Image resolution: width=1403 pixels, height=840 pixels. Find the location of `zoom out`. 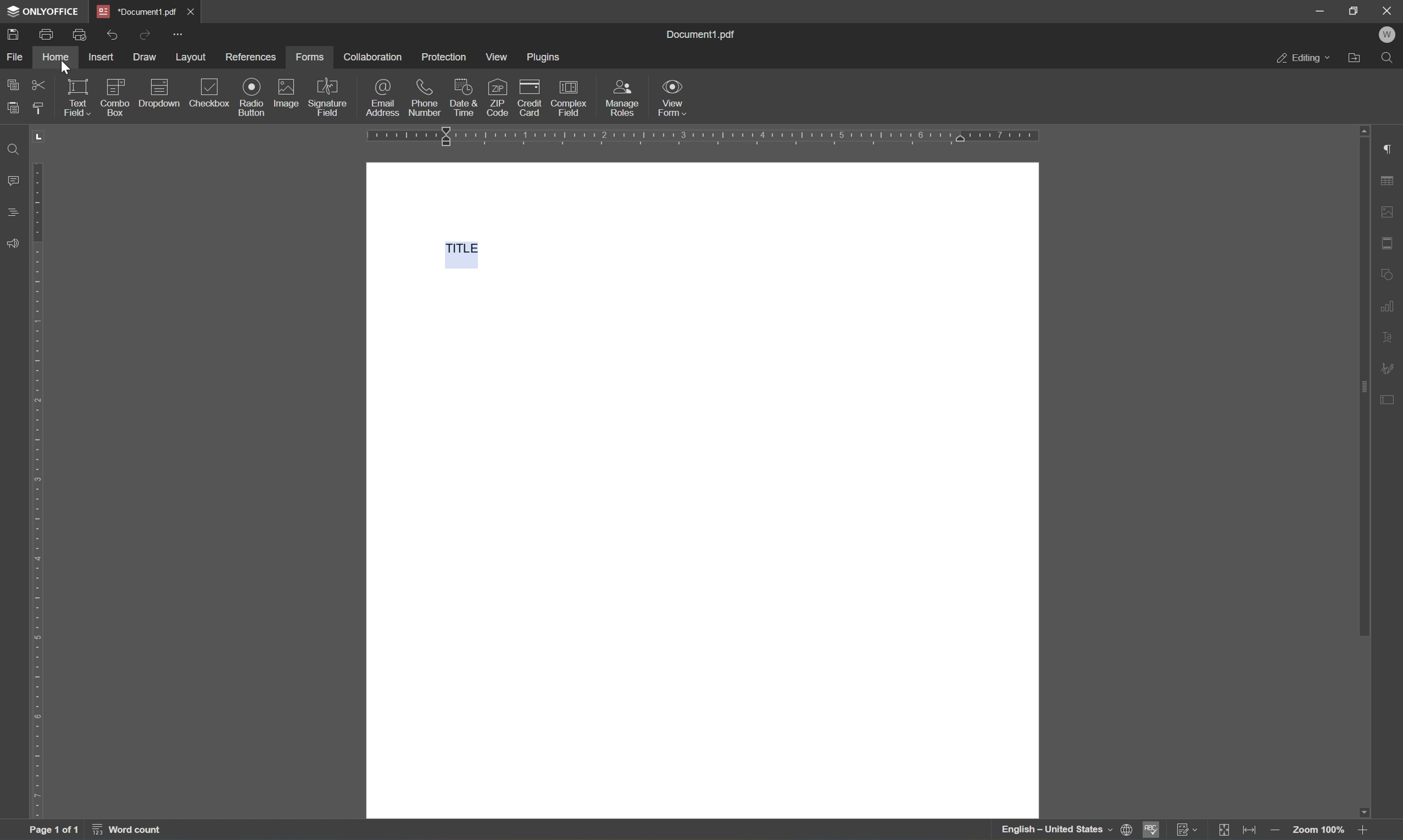

zoom out is located at coordinates (1274, 830).